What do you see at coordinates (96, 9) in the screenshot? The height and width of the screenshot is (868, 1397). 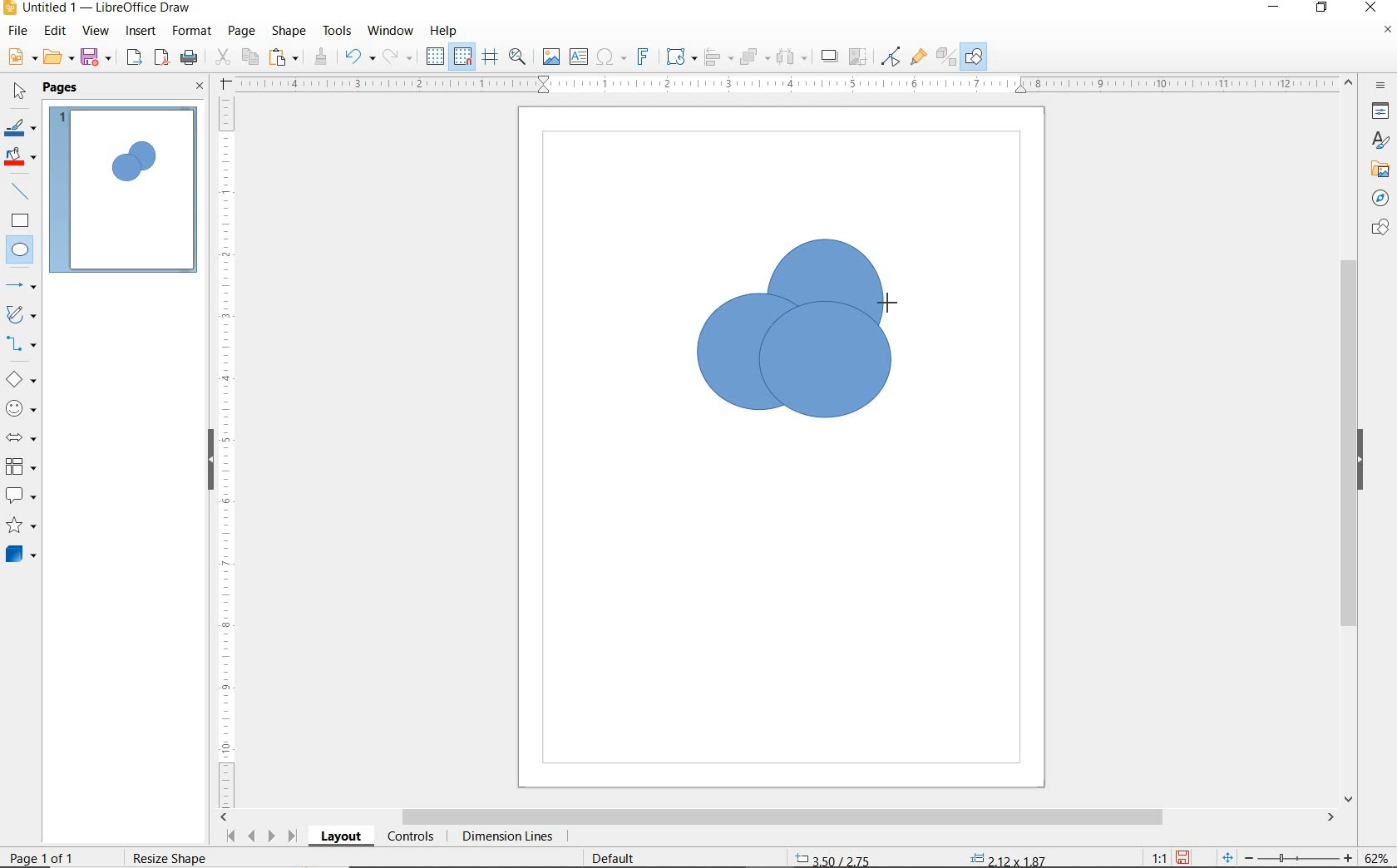 I see `FILE NAME` at bounding box center [96, 9].